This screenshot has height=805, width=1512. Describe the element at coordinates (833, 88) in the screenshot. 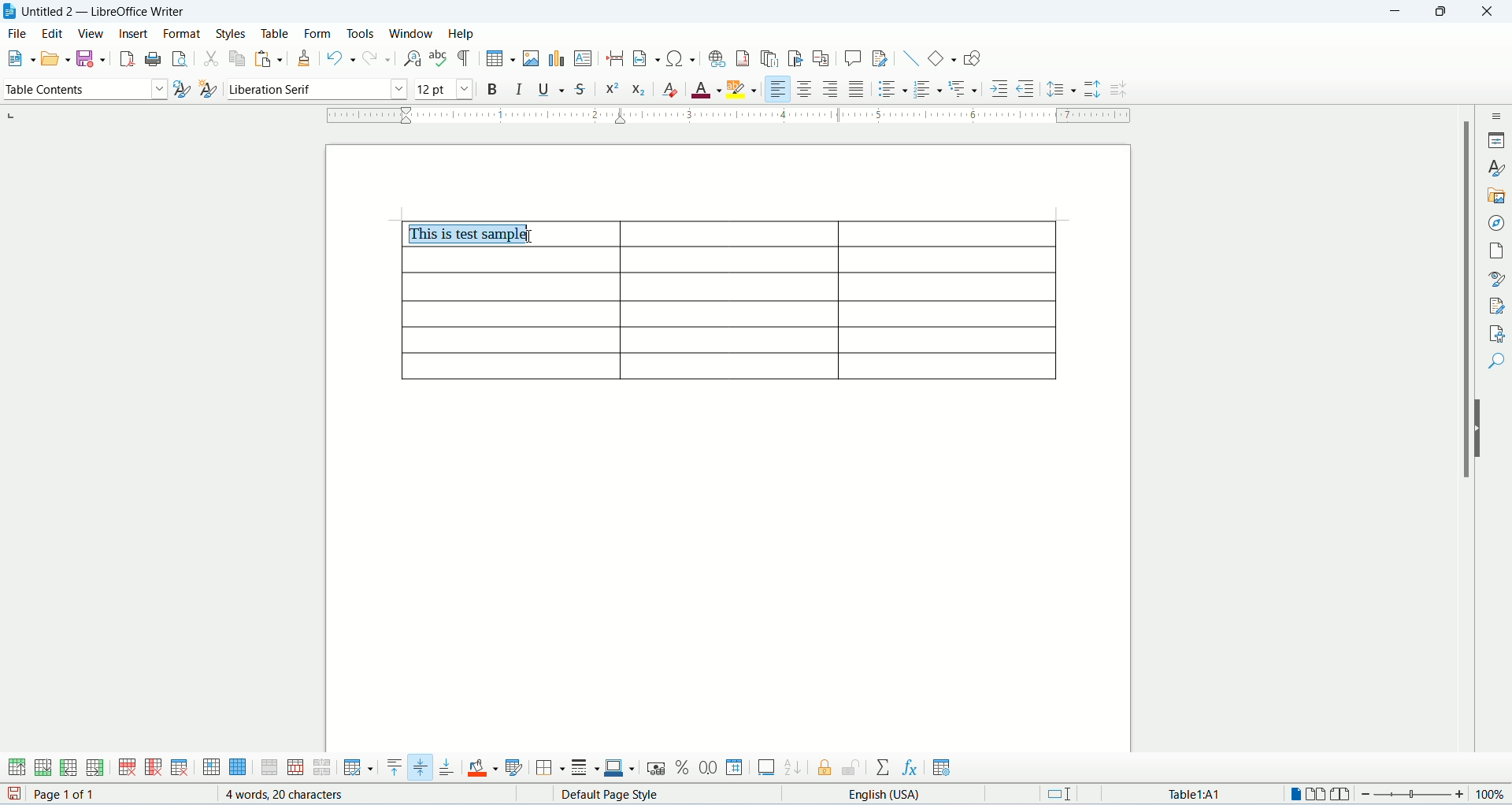

I see `align right` at that location.